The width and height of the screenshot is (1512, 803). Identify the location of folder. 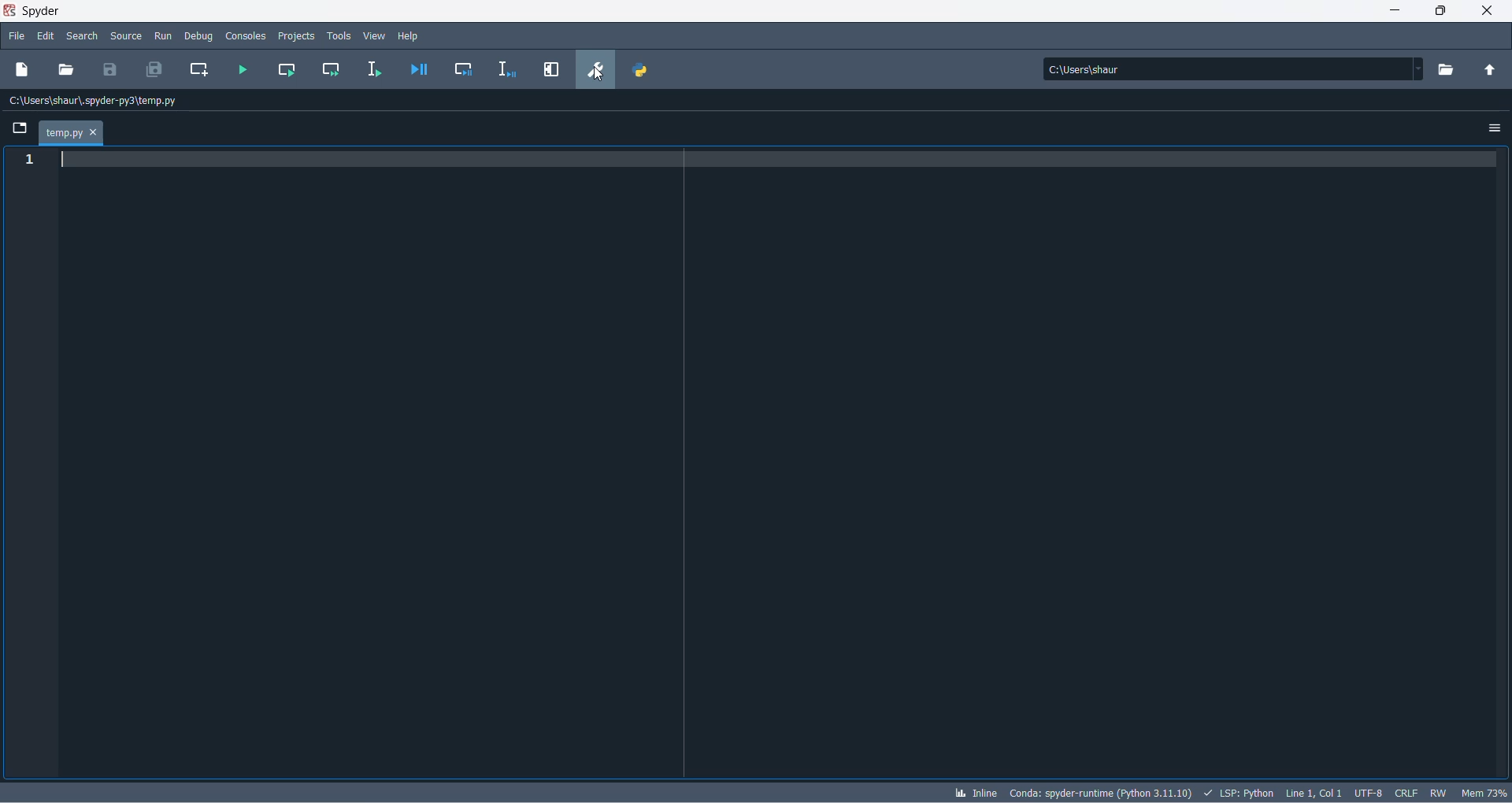
(18, 130).